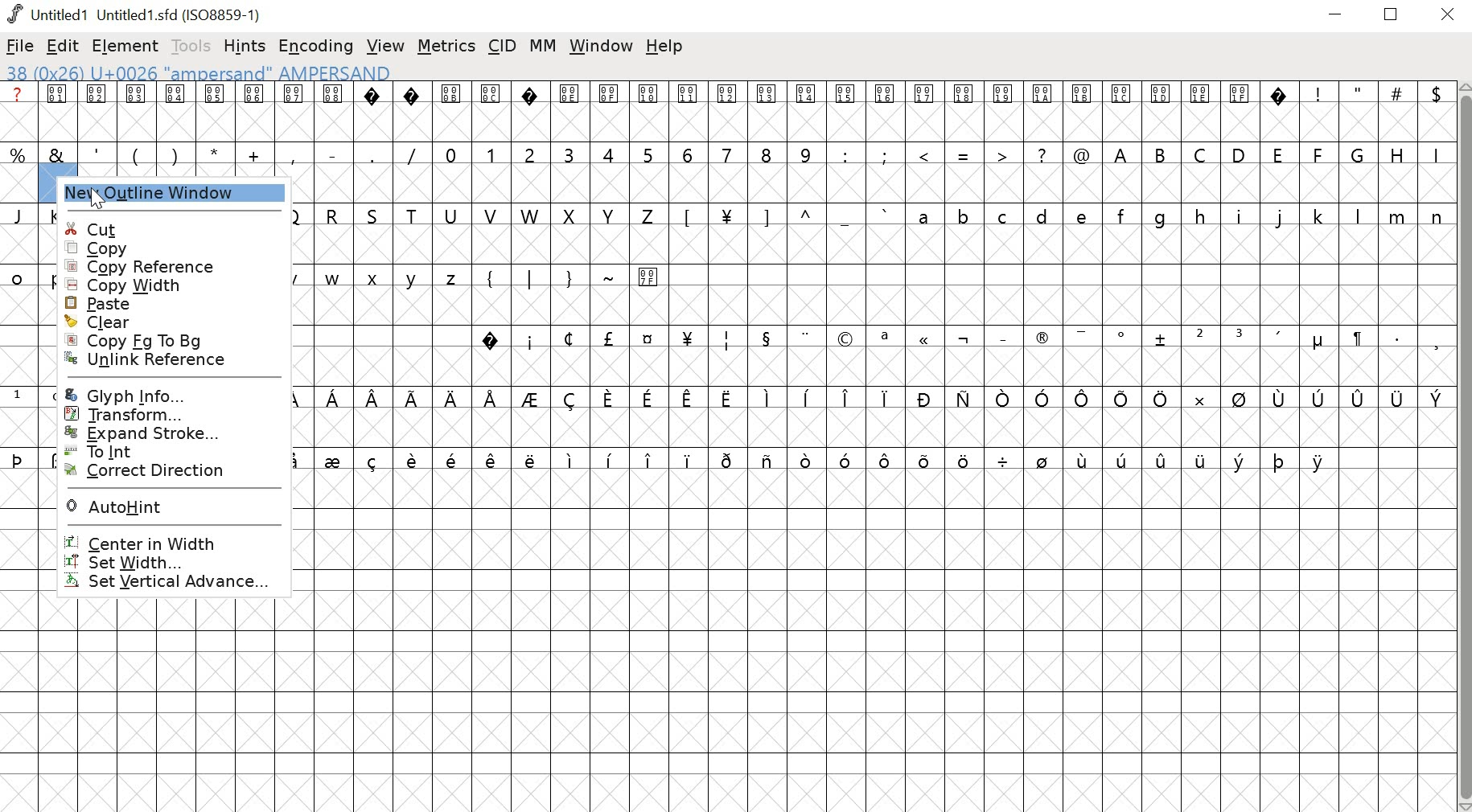 The height and width of the screenshot is (812, 1472). Describe the element at coordinates (491, 110) in the screenshot. I see `000C` at that location.